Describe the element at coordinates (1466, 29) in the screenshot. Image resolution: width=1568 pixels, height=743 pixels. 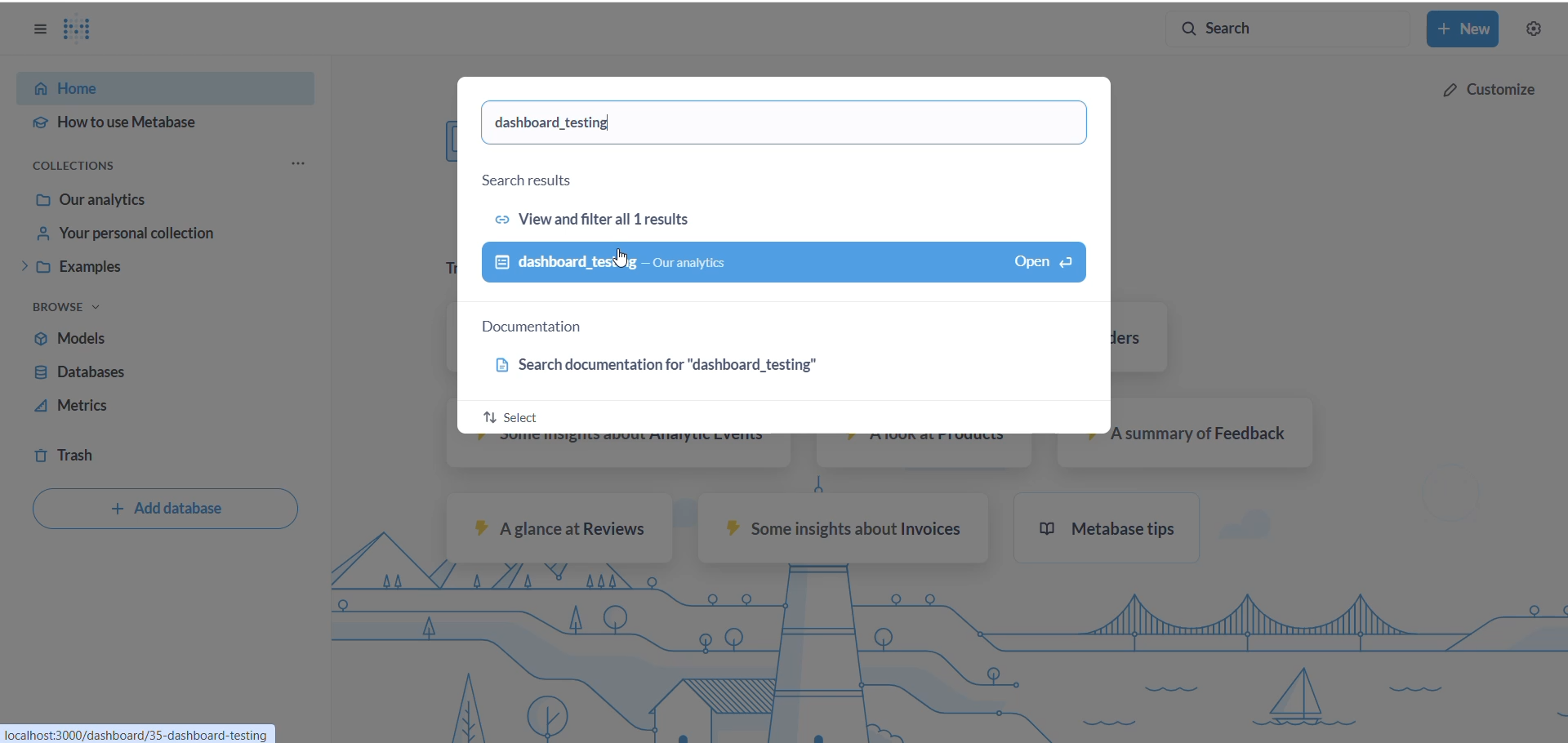
I see `new button` at that location.